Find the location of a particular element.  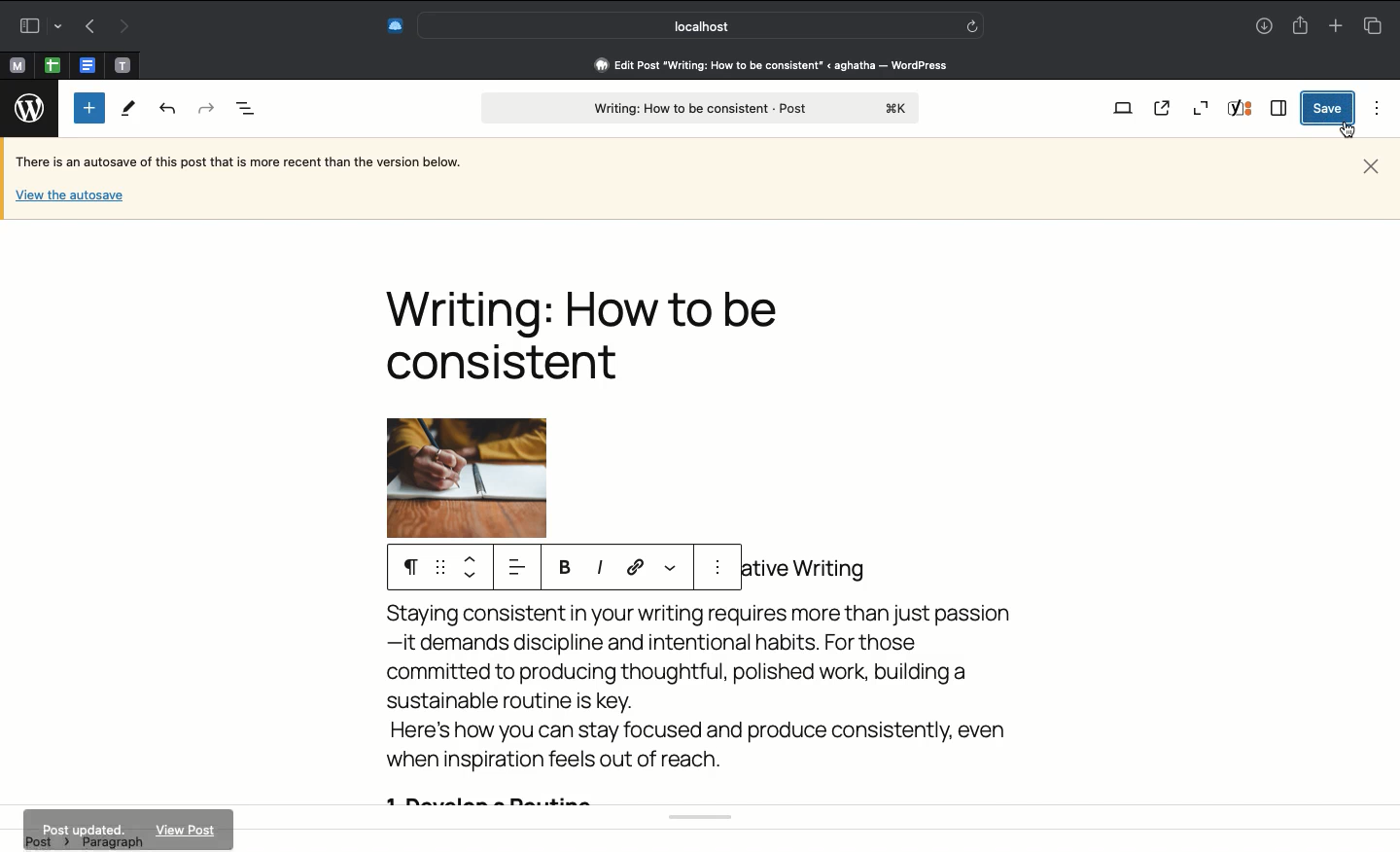

Autosave is located at coordinates (254, 163).